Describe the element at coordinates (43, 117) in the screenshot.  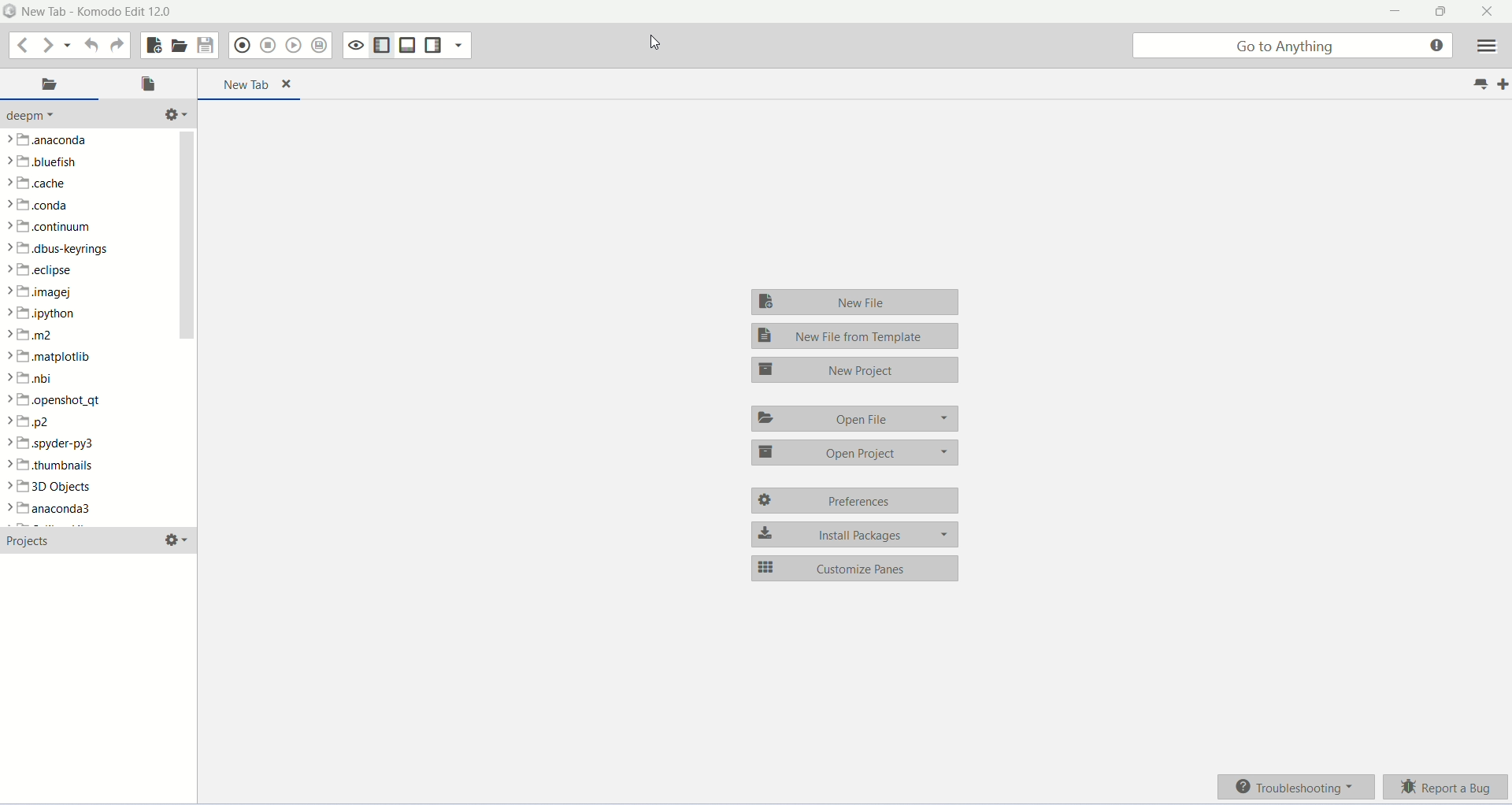
I see `deepm` at that location.